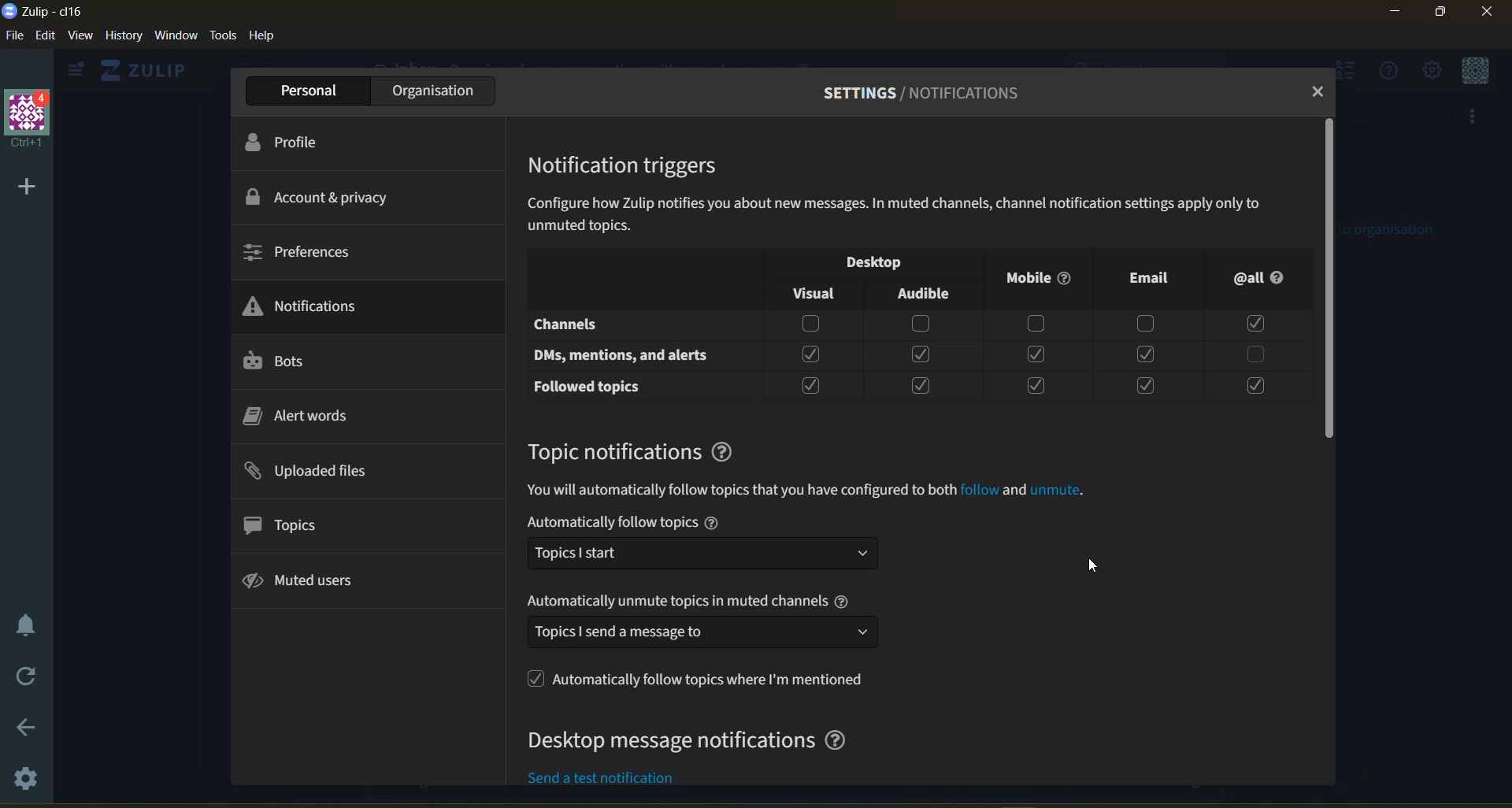 The height and width of the screenshot is (808, 1512). What do you see at coordinates (1266, 280) in the screenshot?
I see `@all` at bounding box center [1266, 280].